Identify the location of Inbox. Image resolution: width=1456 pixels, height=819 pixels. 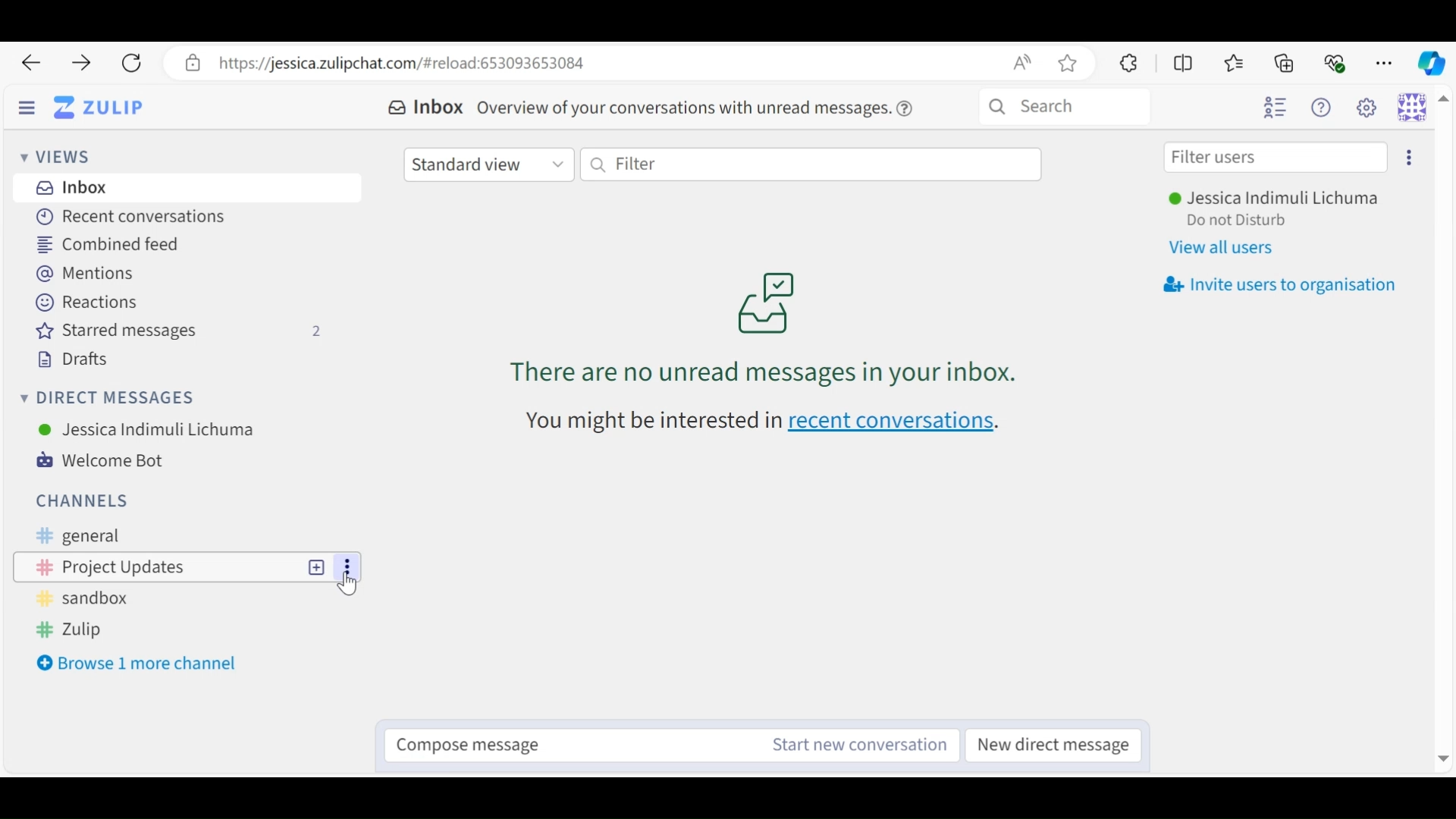
(425, 108).